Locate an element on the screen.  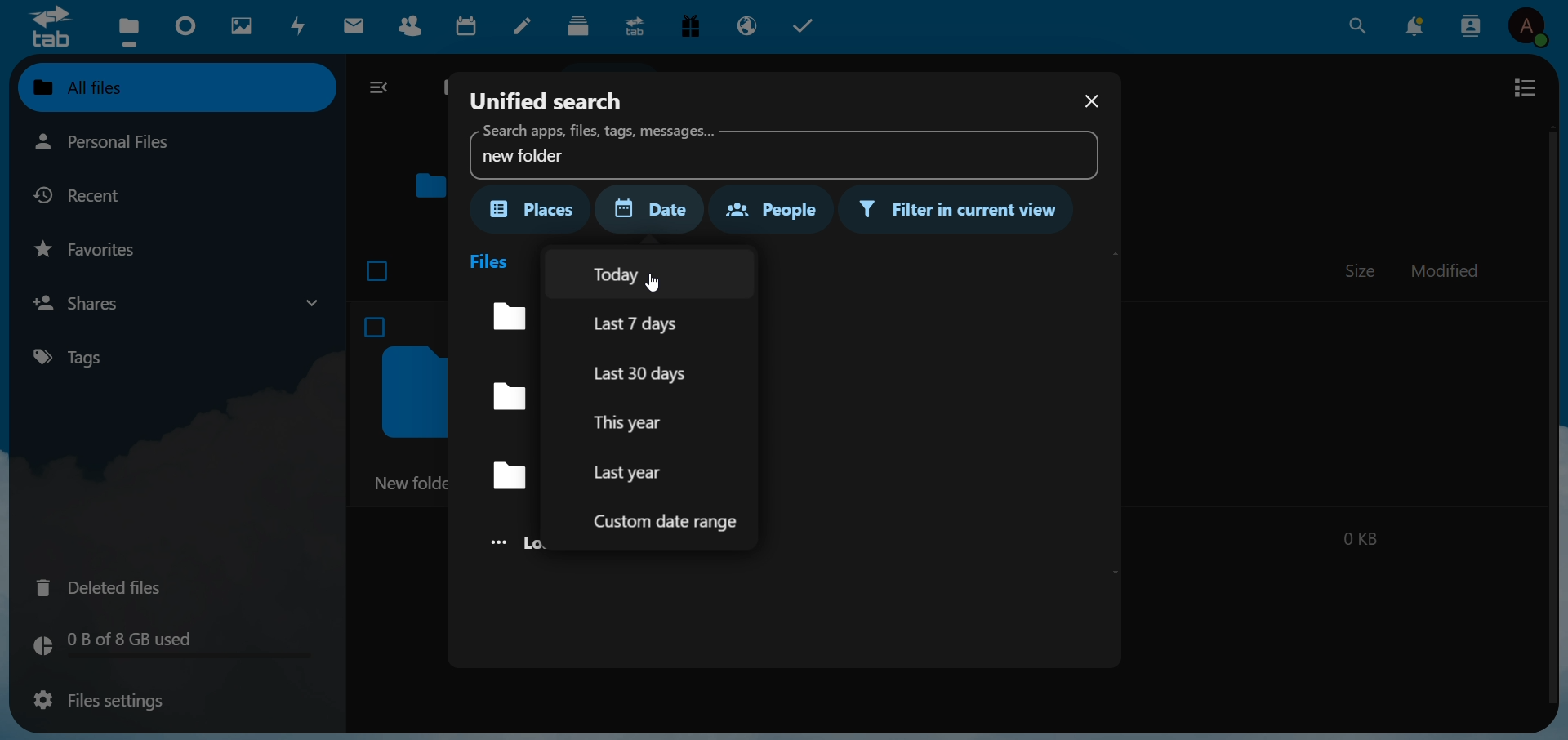
tags is located at coordinates (82, 357).